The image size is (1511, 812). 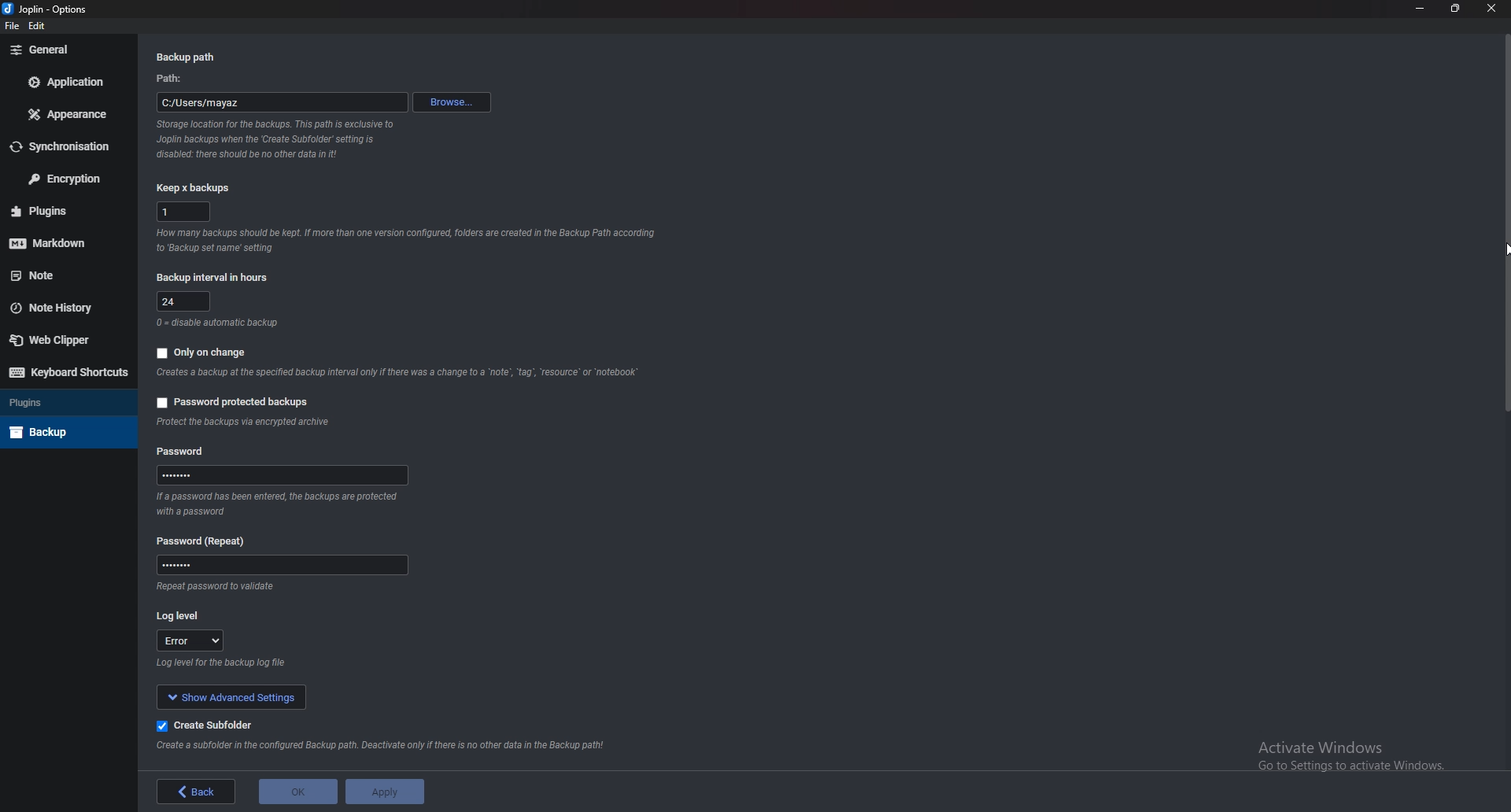 I want to click on ok, so click(x=298, y=792).